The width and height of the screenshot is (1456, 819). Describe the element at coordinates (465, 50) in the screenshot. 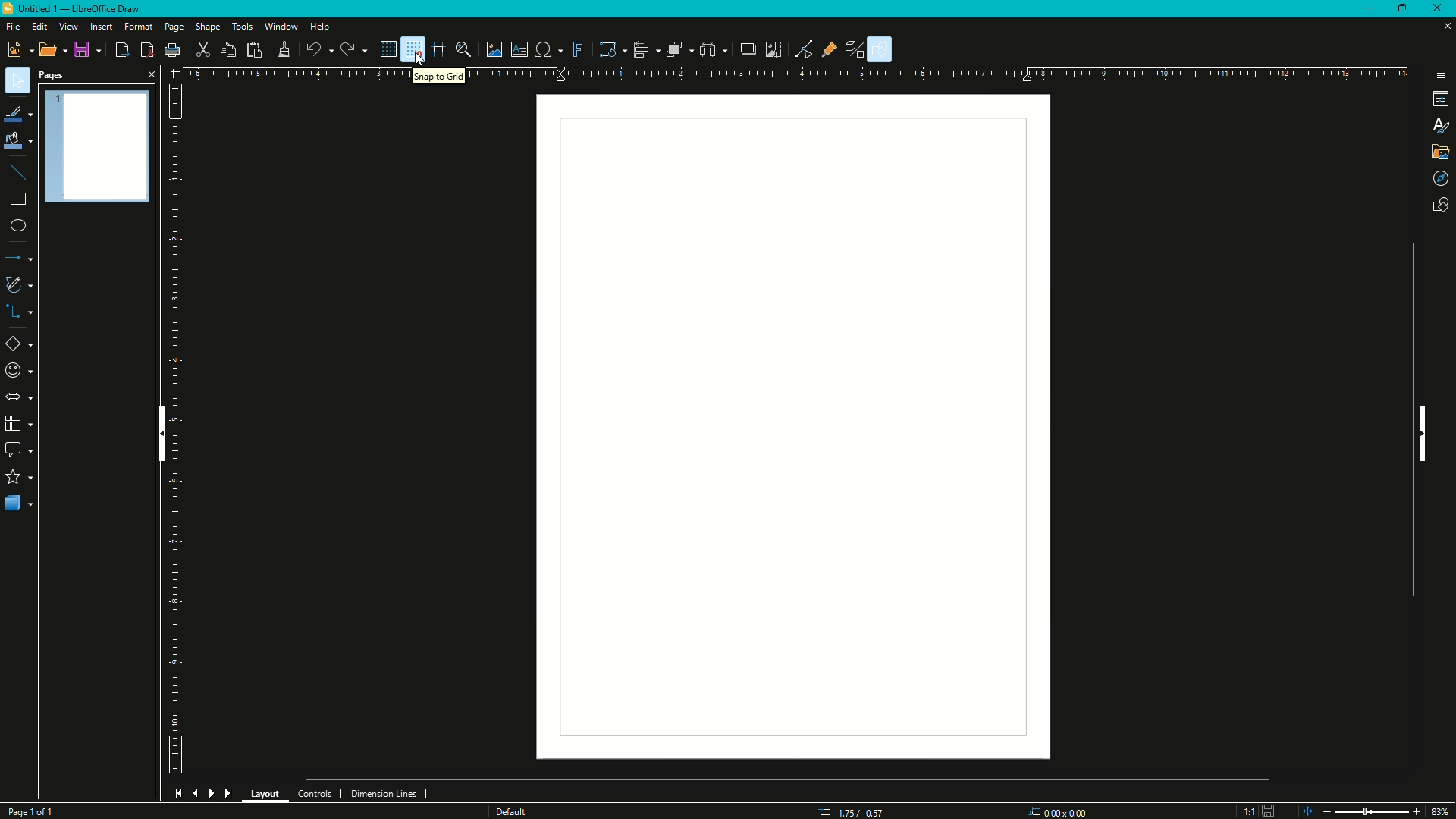

I see `Zoom and pan` at that location.